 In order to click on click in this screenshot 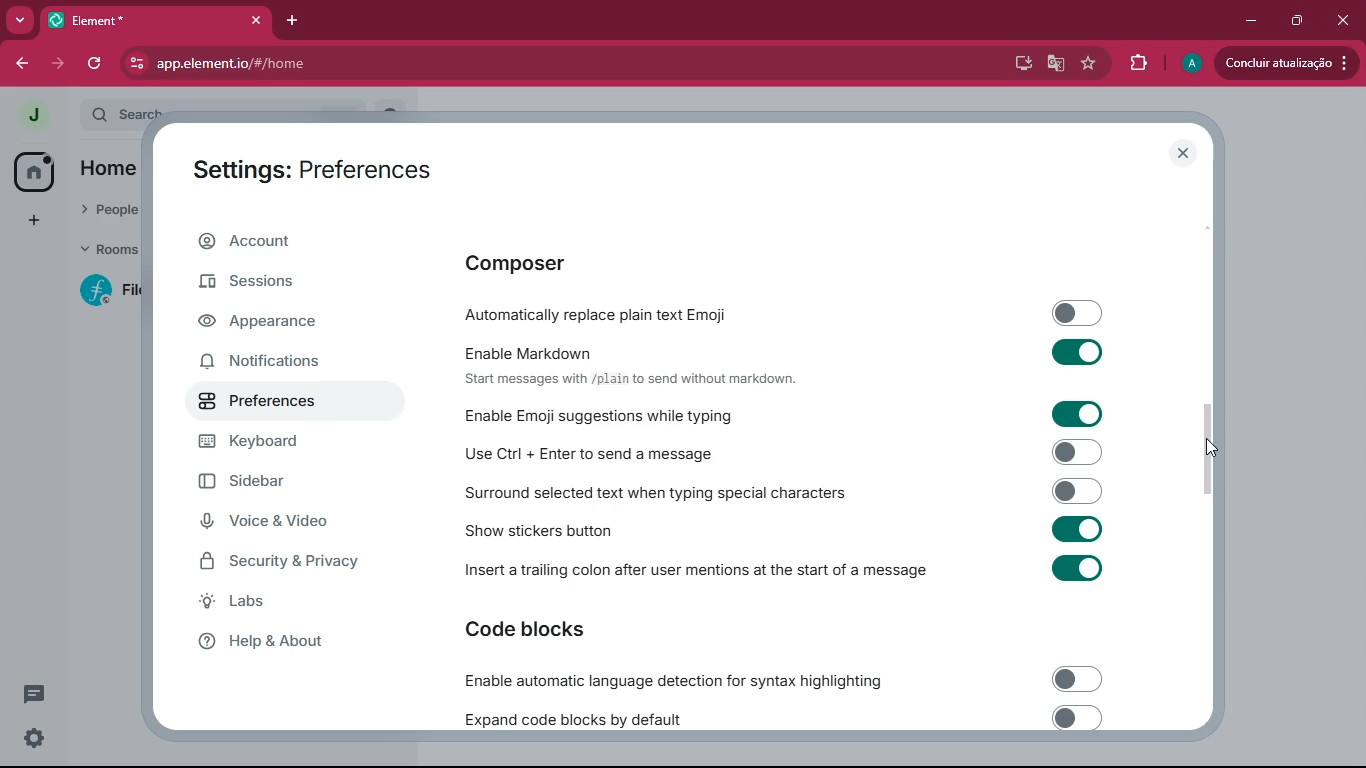, I will do `click(1346, 22)`.